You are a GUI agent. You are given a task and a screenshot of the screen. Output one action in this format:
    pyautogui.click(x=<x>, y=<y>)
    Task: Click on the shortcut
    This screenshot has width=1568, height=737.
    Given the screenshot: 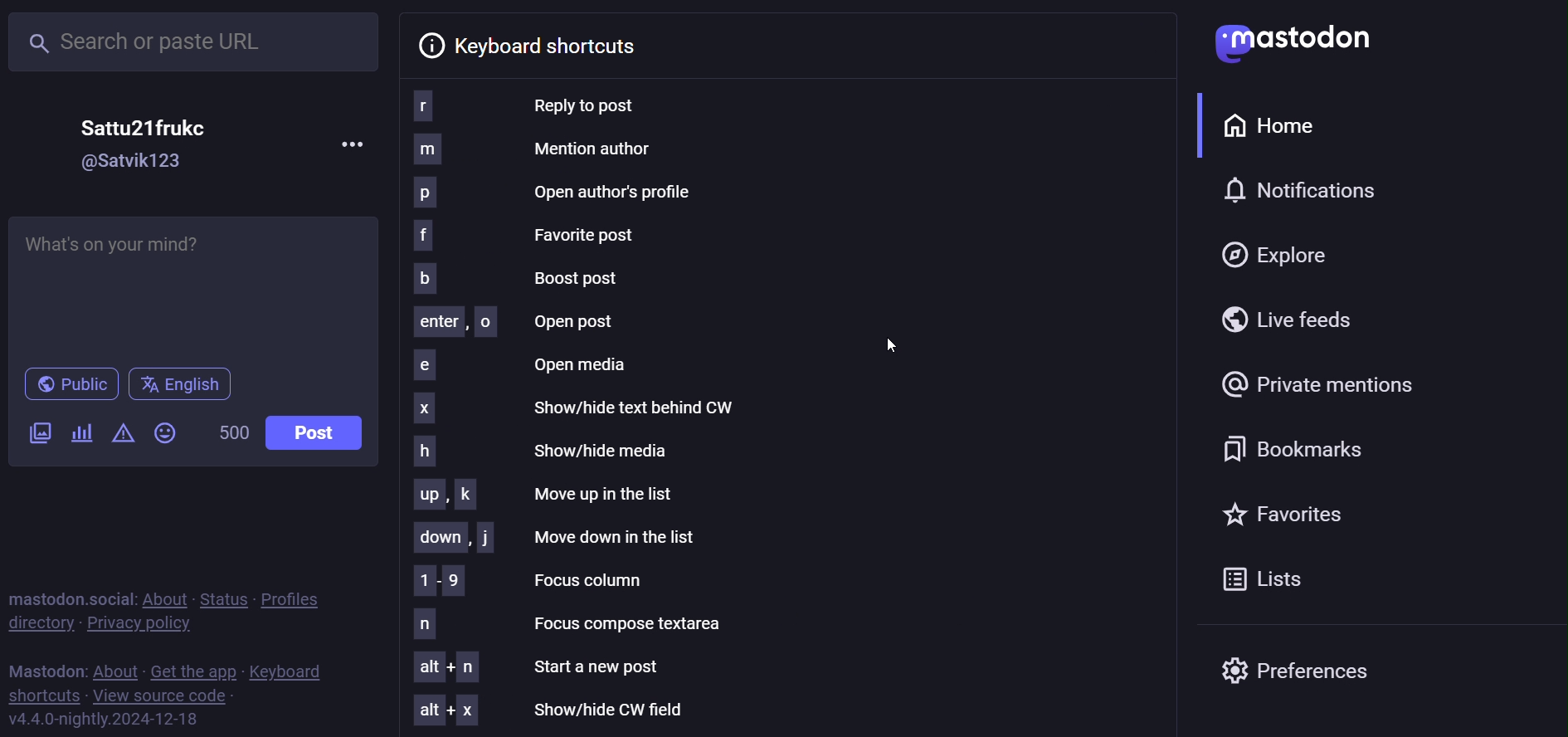 What is the action you would take?
    pyautogui.click(x=42, y=695)
    